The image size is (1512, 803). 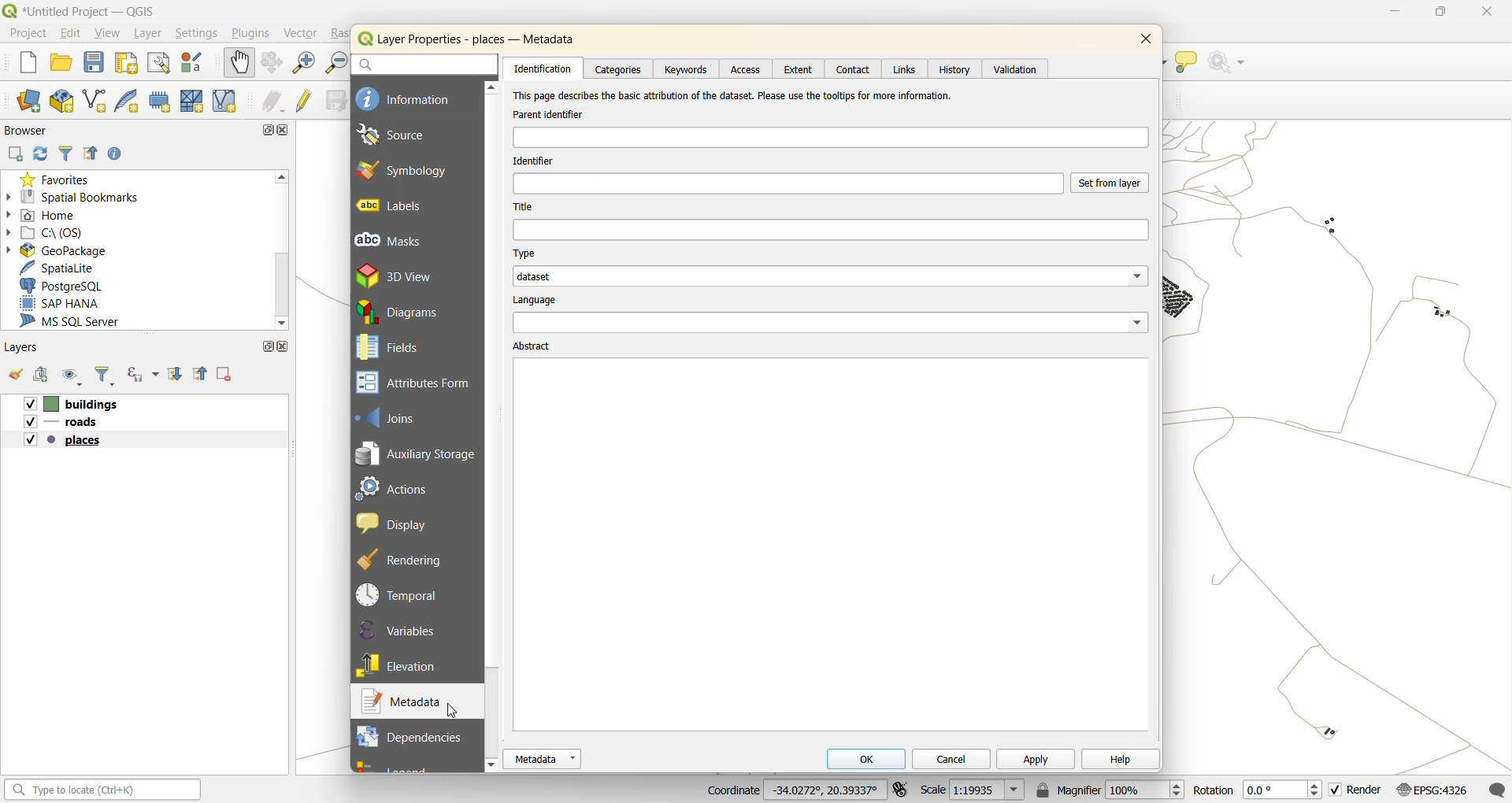 I want to click on rendering, so click(x=402, y=558).